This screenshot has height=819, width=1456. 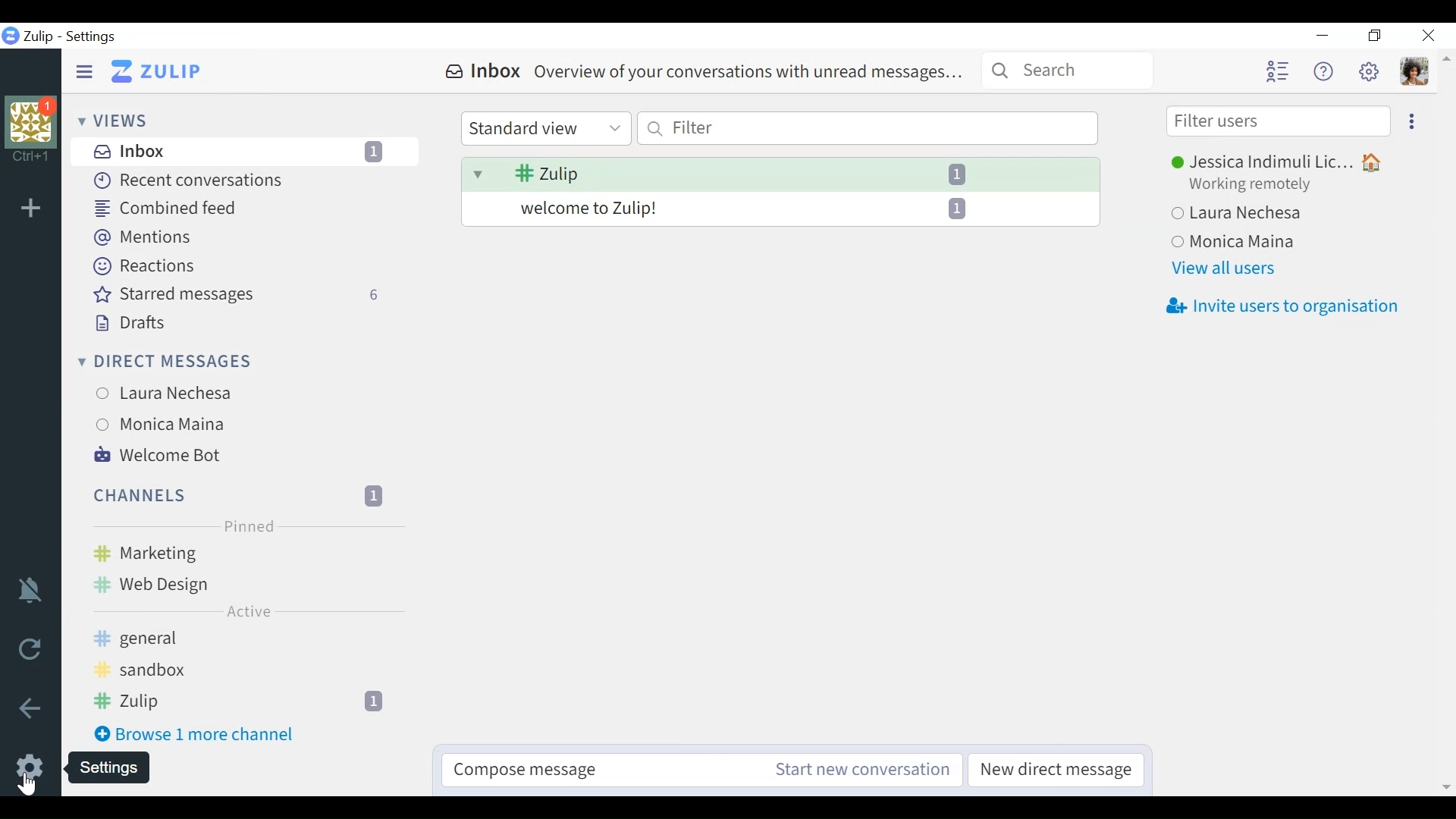 What do you see at coordinates (83, 72) in the screenshot?
I see `Show/Hide Sidebar` at bounding box center [83, 72].